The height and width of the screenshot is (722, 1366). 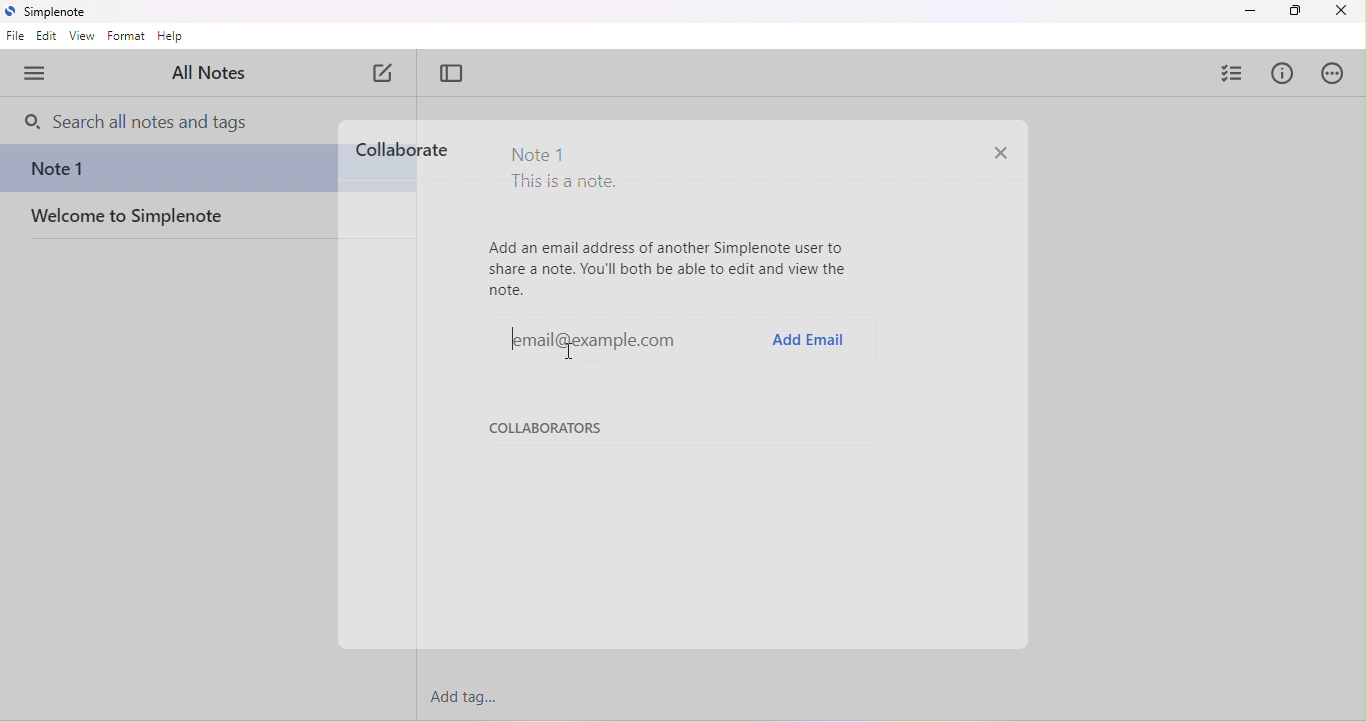 What do you see at coordinates (41, 72) in the screenshot?
I see `menu` at bounding box center [41, 72].